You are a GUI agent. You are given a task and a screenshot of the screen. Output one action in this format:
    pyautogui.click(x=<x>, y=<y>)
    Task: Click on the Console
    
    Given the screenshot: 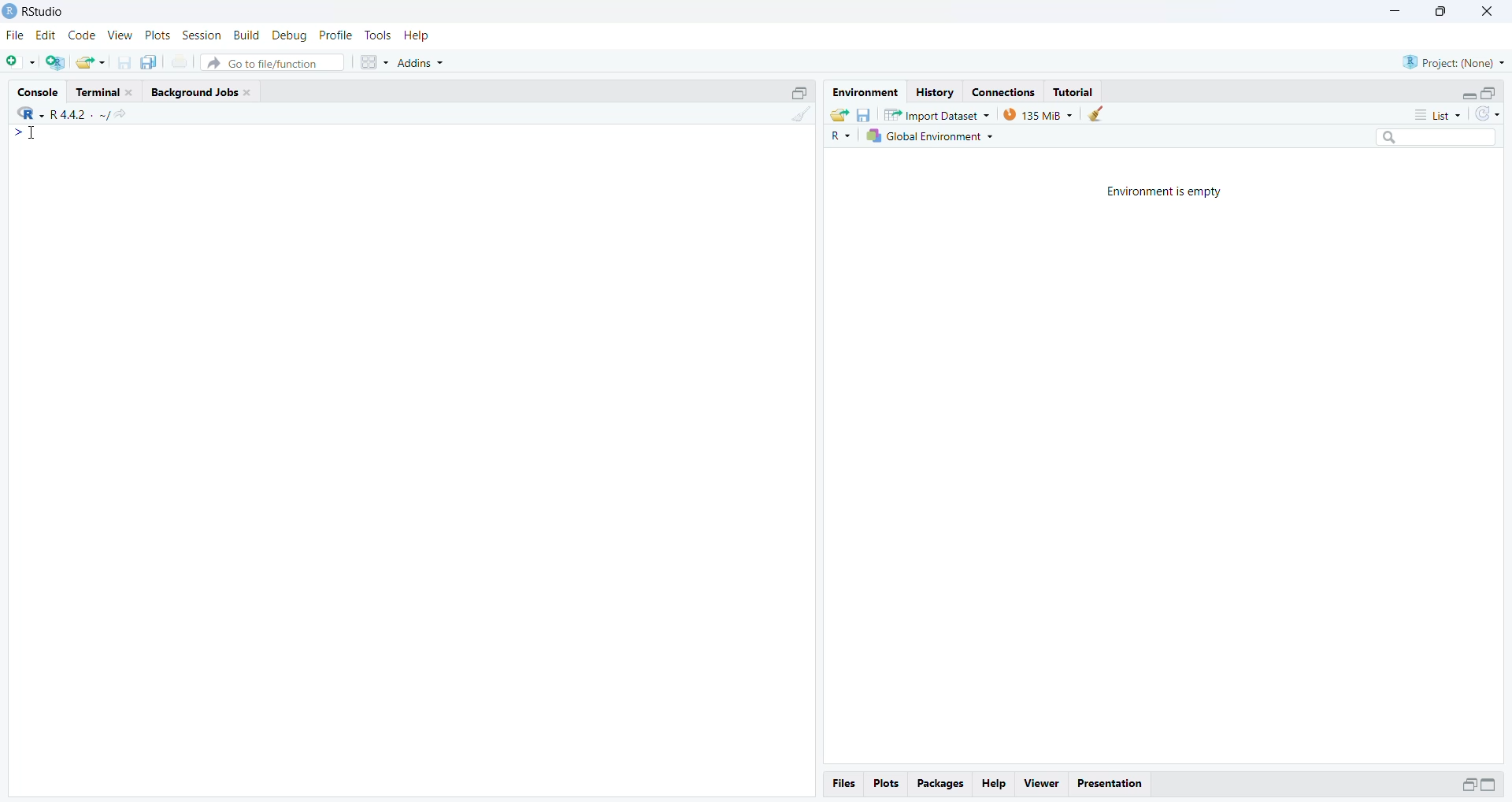 What is the action you would take?
    pyautogui.click(x=40, y=91)
    